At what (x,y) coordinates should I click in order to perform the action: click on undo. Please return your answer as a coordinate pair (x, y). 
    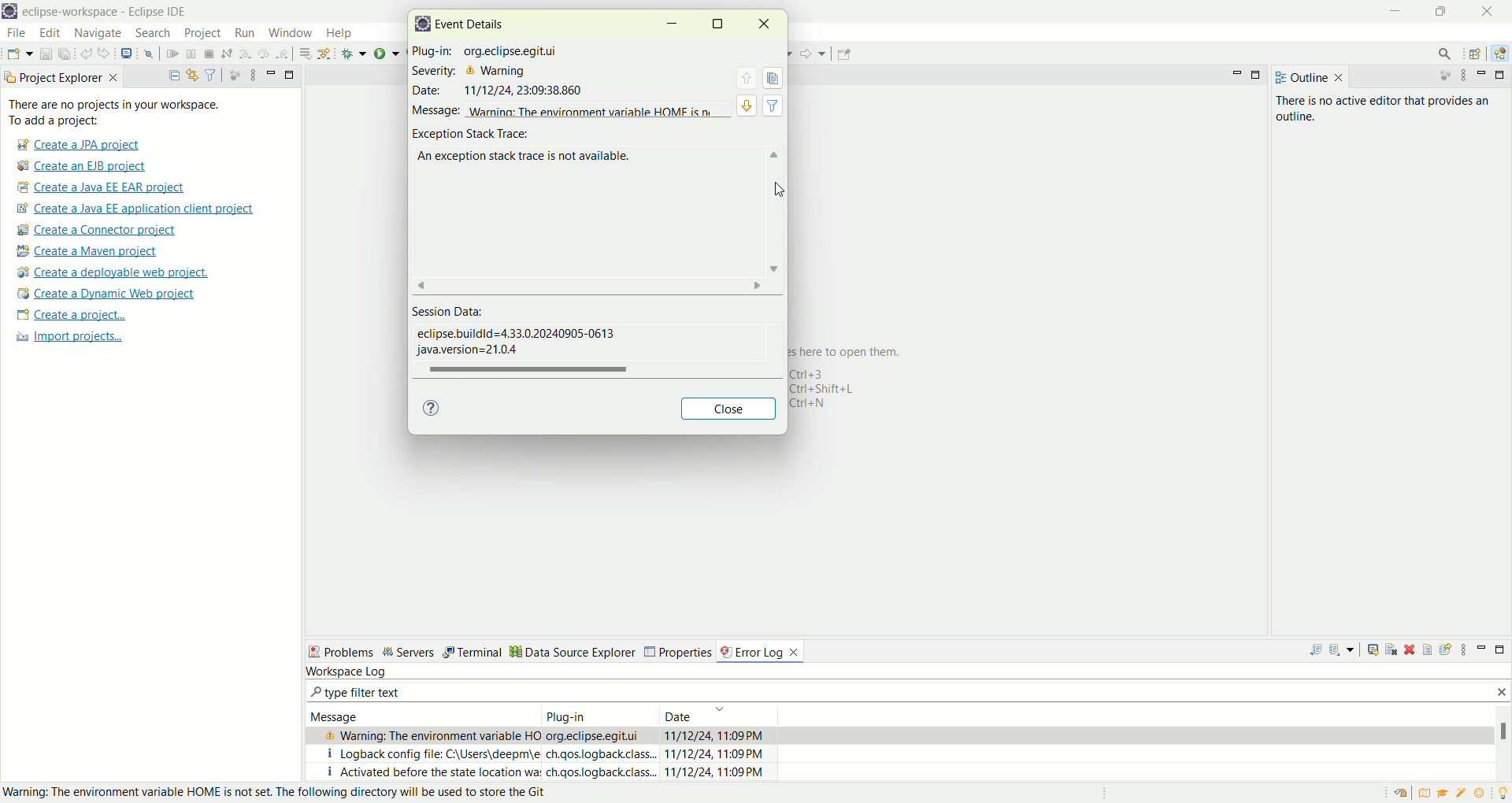
    Looking at the image, I should click on (85, 52).